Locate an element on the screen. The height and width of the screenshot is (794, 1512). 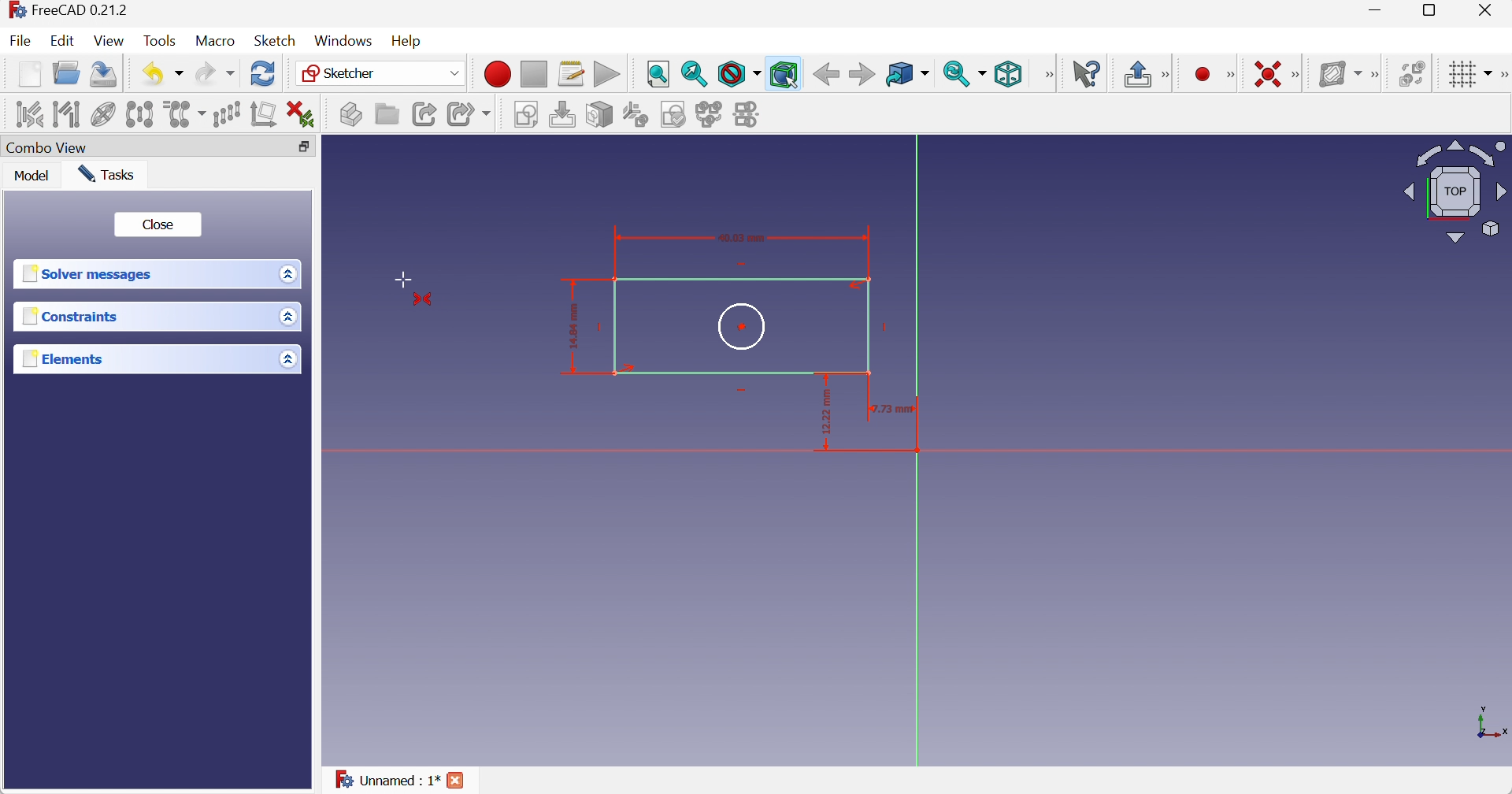
Circle is located at coordinates (743, 327).